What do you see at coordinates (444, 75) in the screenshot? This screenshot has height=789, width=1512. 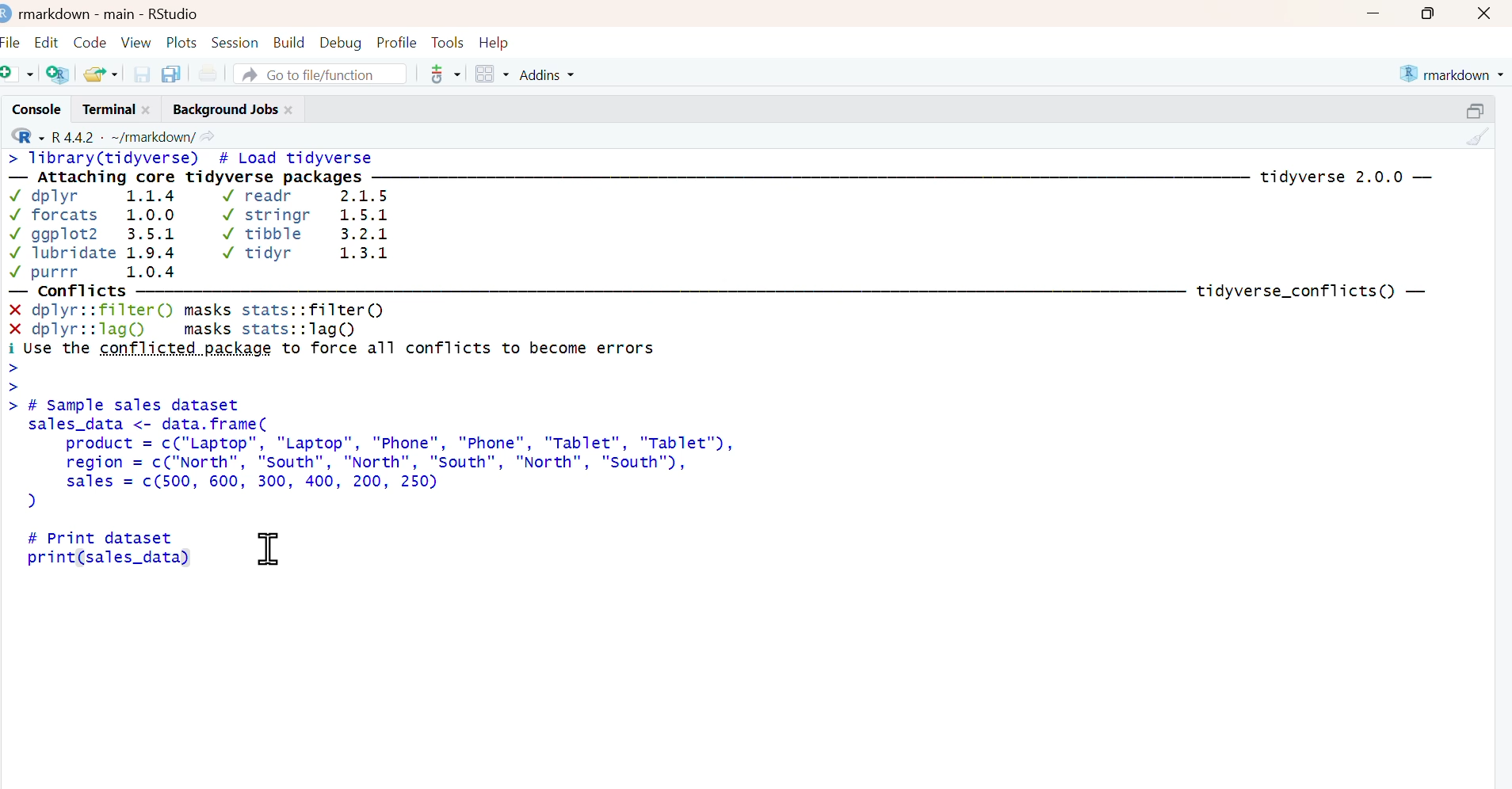 I see `Git` at bounding box center [444, 75].